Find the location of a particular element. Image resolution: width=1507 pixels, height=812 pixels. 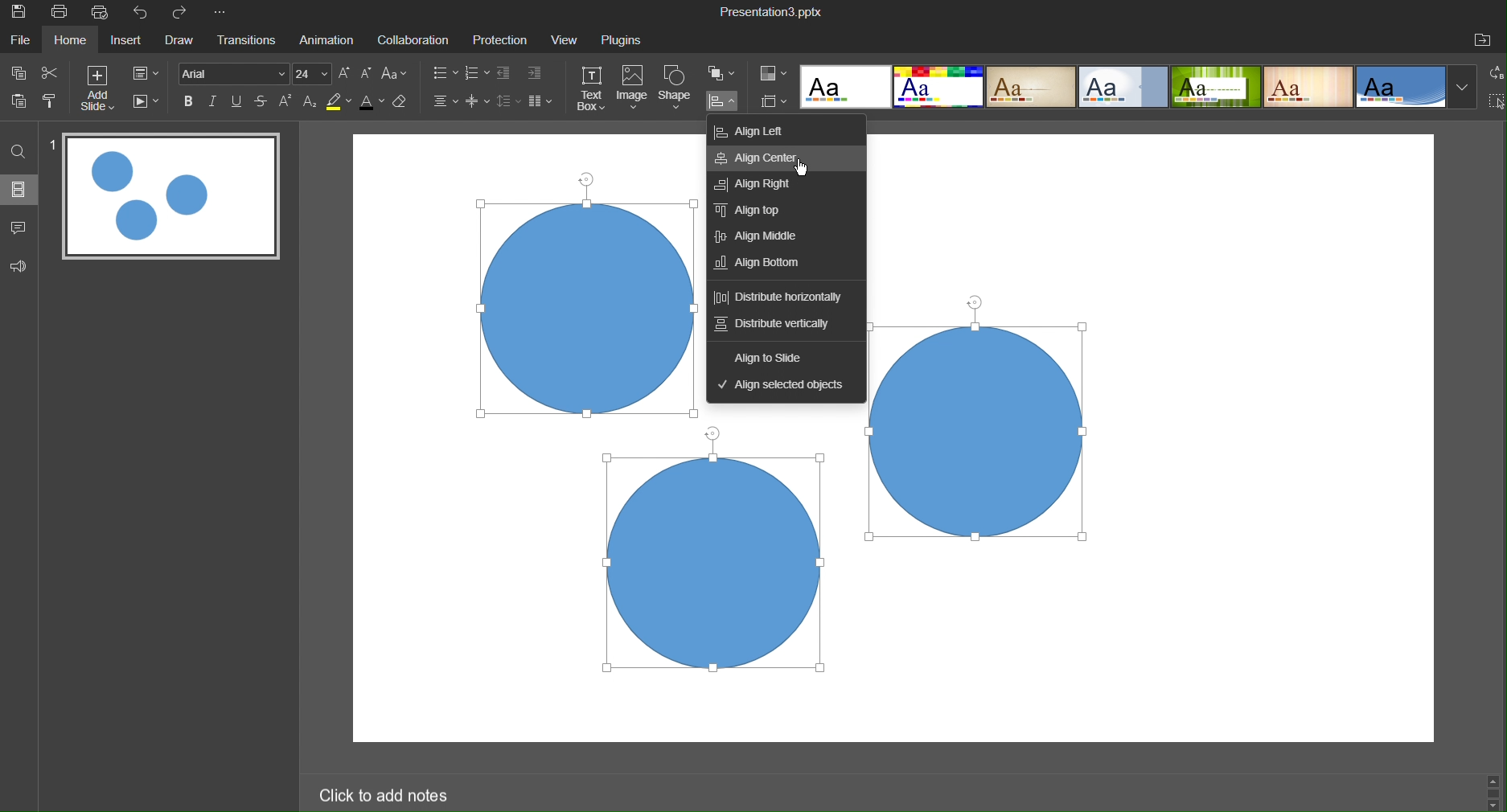

Slide Settings is located at coordinates (151, 75).